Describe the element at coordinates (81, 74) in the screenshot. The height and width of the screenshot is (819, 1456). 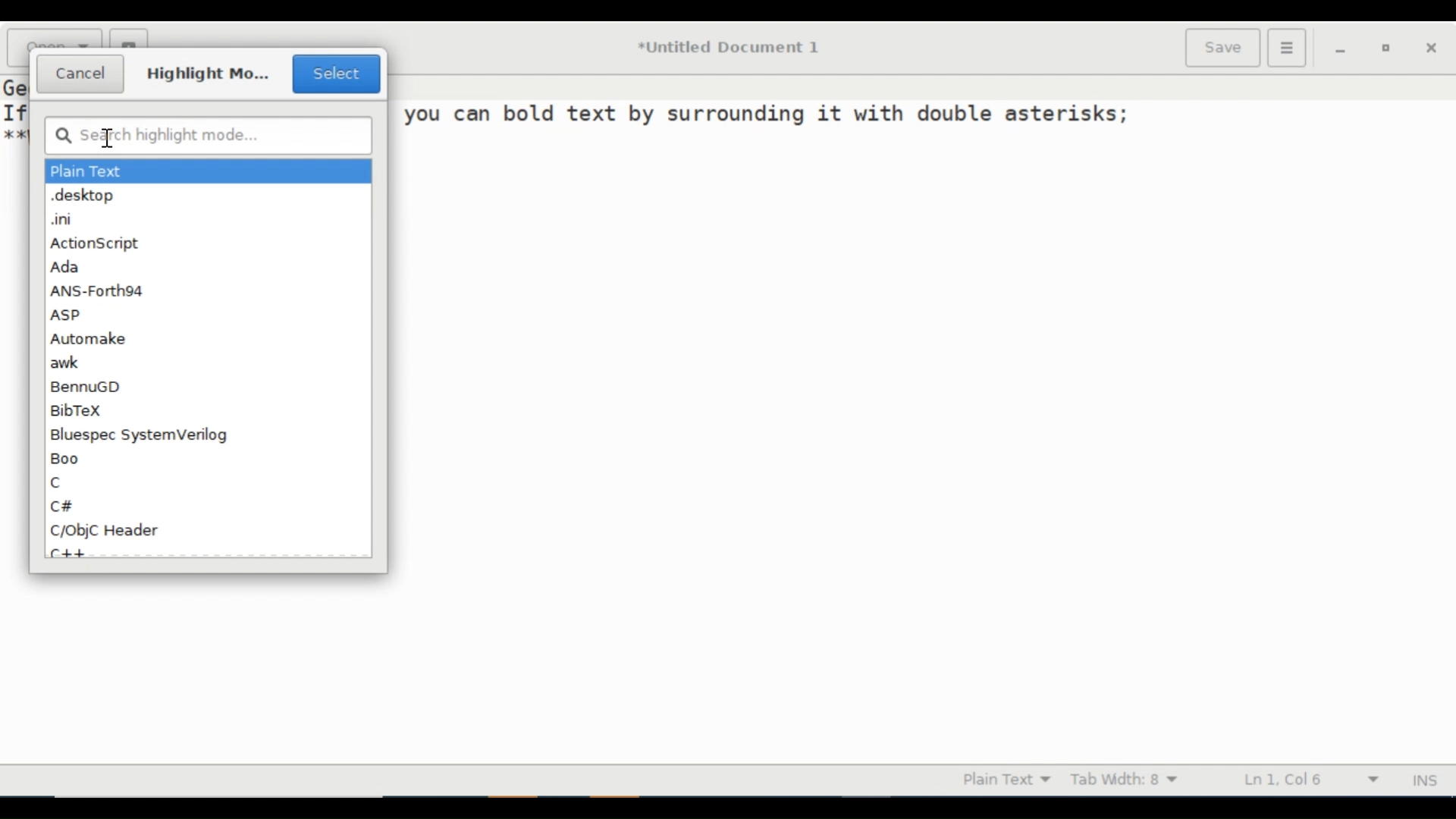
I see `Cancel` at that location.